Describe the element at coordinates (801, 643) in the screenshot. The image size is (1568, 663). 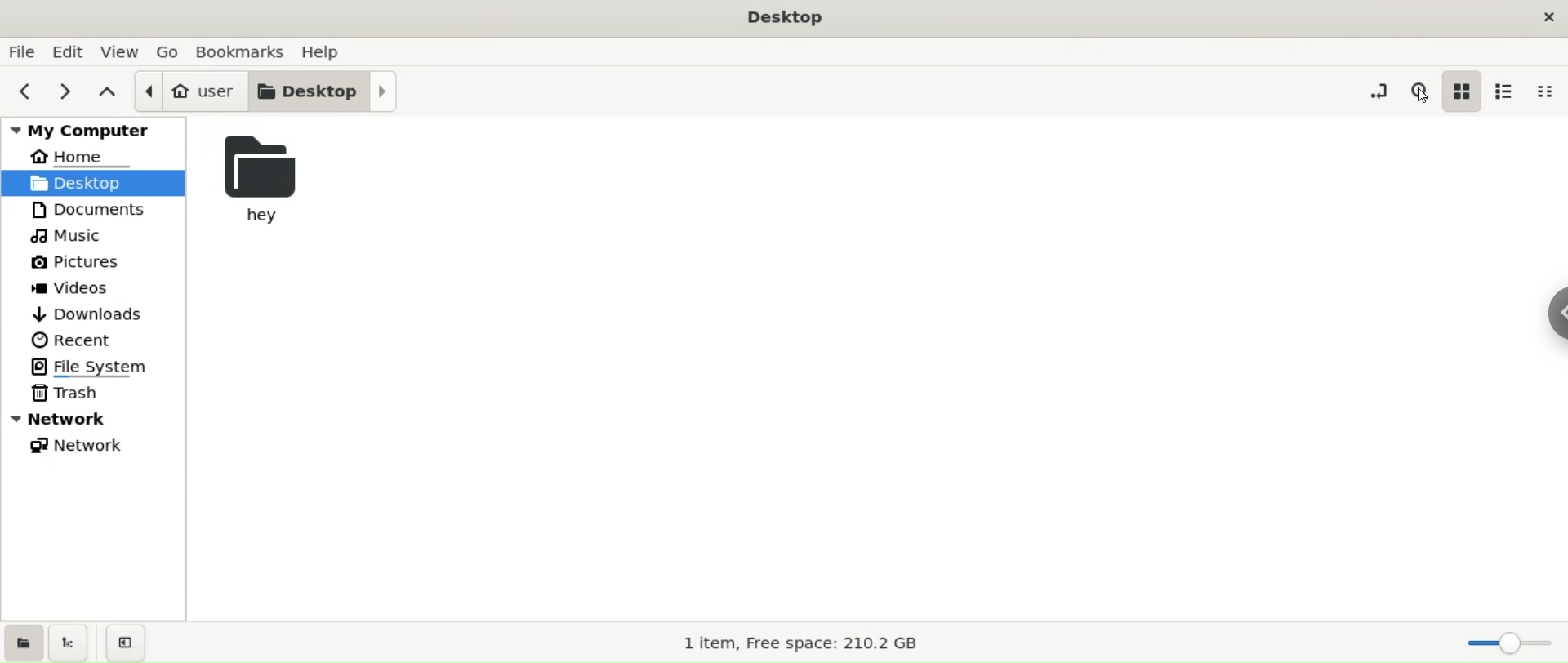
I see `1 item, Free space: 210.2 GB` at that location.